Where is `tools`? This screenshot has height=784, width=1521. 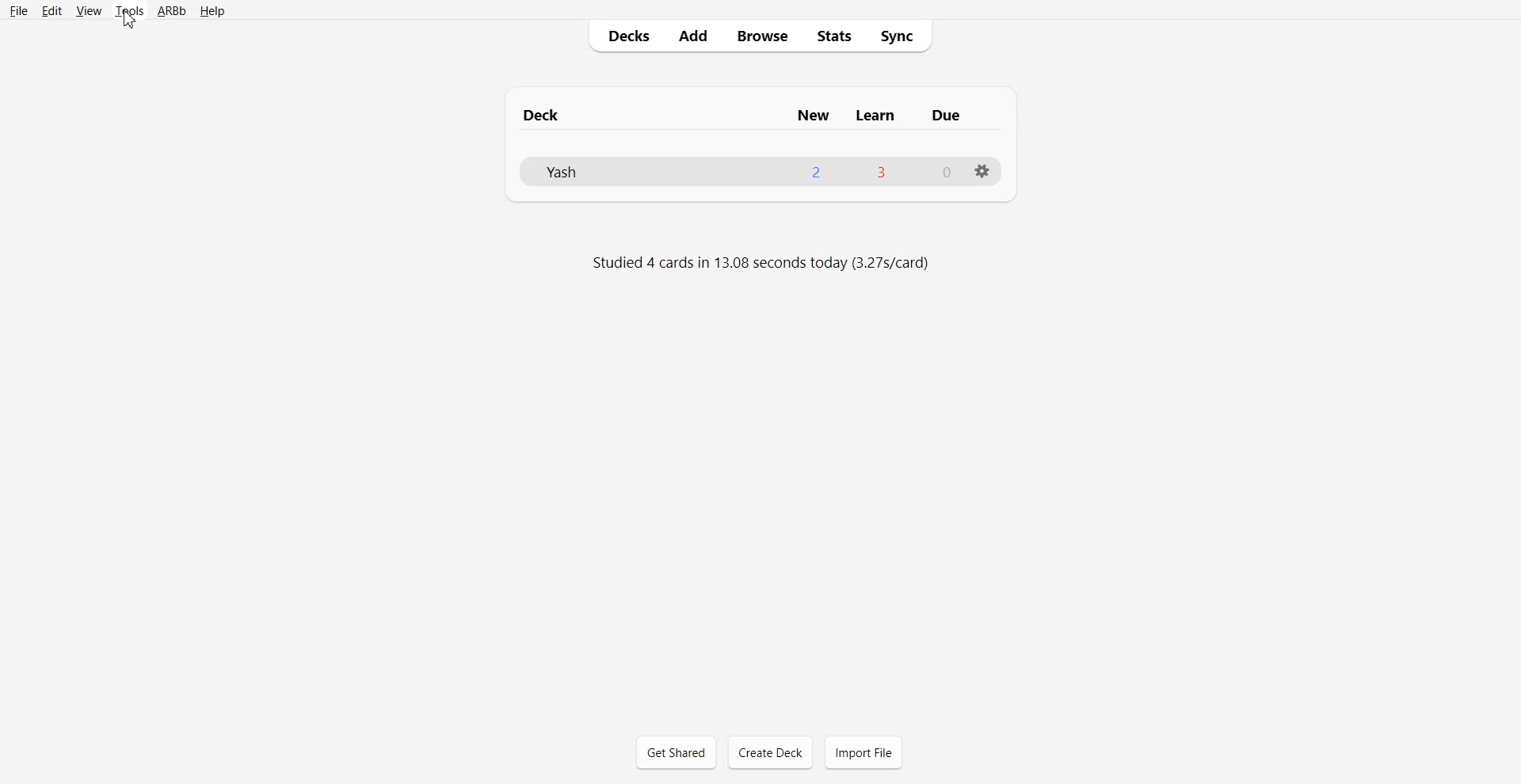
tools is located at coordinates (128, 10).